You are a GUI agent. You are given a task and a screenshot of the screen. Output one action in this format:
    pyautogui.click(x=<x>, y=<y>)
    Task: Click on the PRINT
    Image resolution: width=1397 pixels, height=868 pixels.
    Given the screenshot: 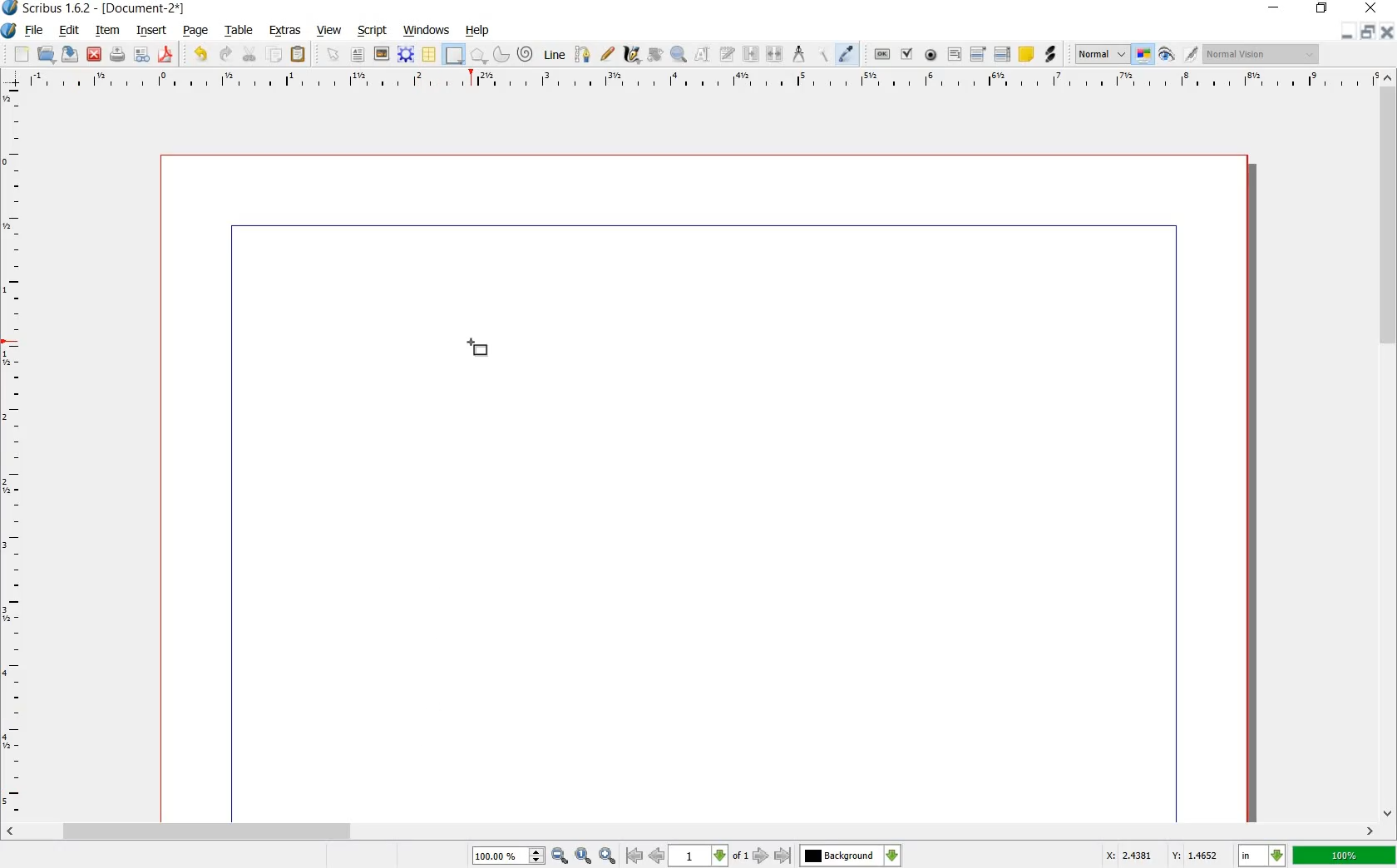 What is the action you would take?
    pyautogui.click(x=117, y=55)
    